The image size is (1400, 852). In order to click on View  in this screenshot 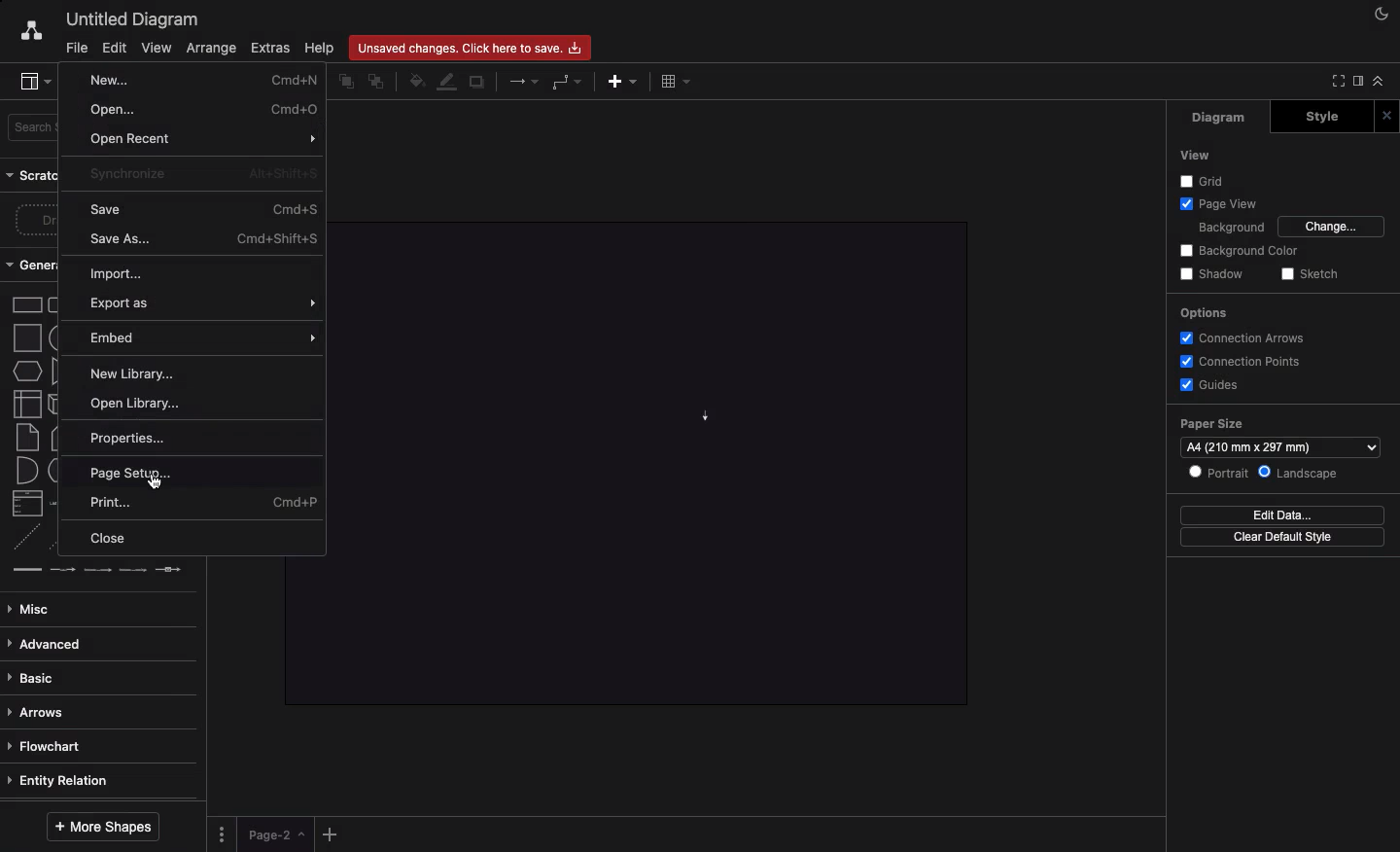, I will do `click(1194, 156)`.